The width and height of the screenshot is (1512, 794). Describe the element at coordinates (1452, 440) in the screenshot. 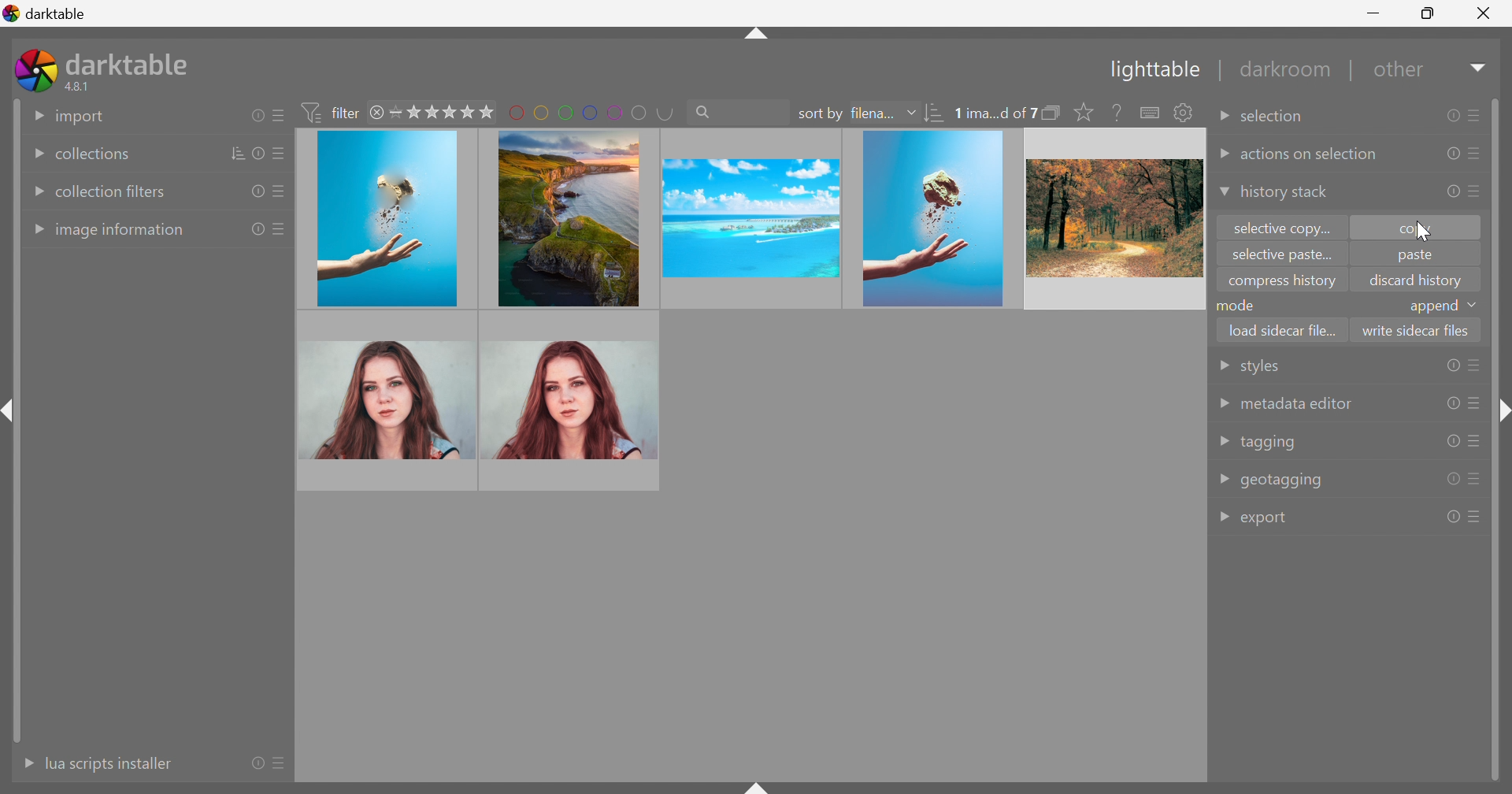

I see `reset` at that location.